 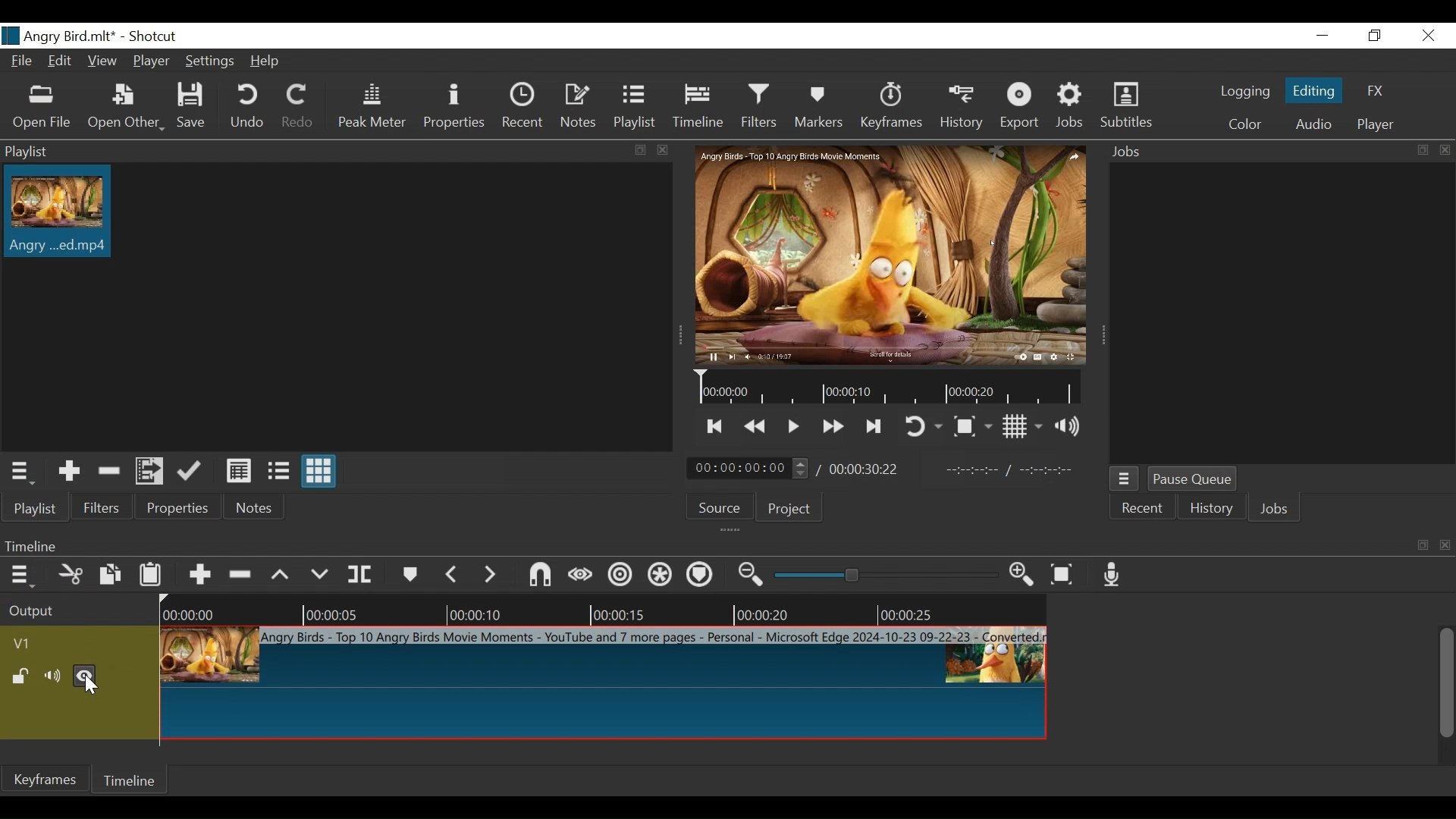 I want to click on History, so click(x=1209, y=509).